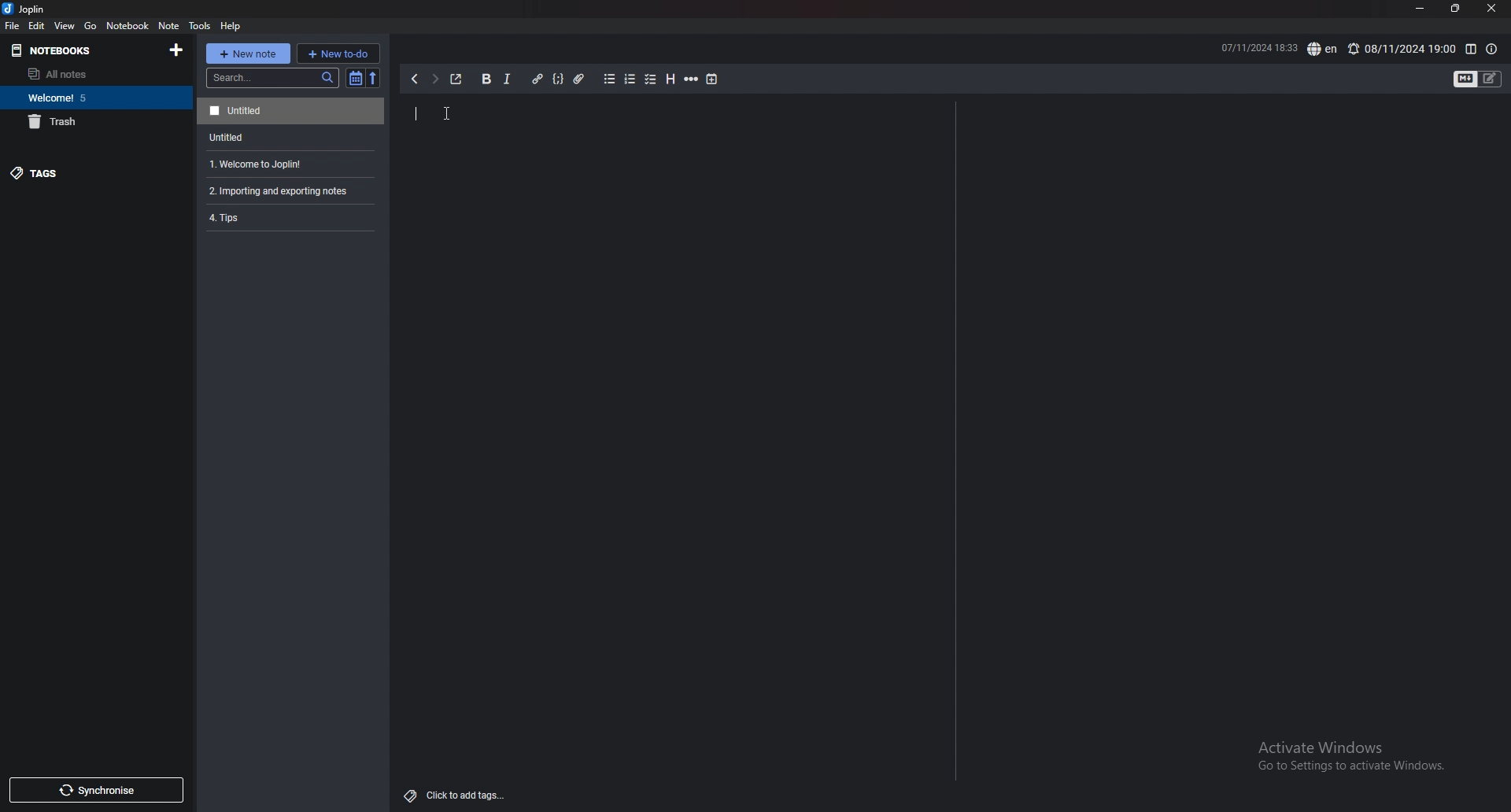 This screenshot has height=812, width=1511. I want to click on minimize, so click(1420, 9).